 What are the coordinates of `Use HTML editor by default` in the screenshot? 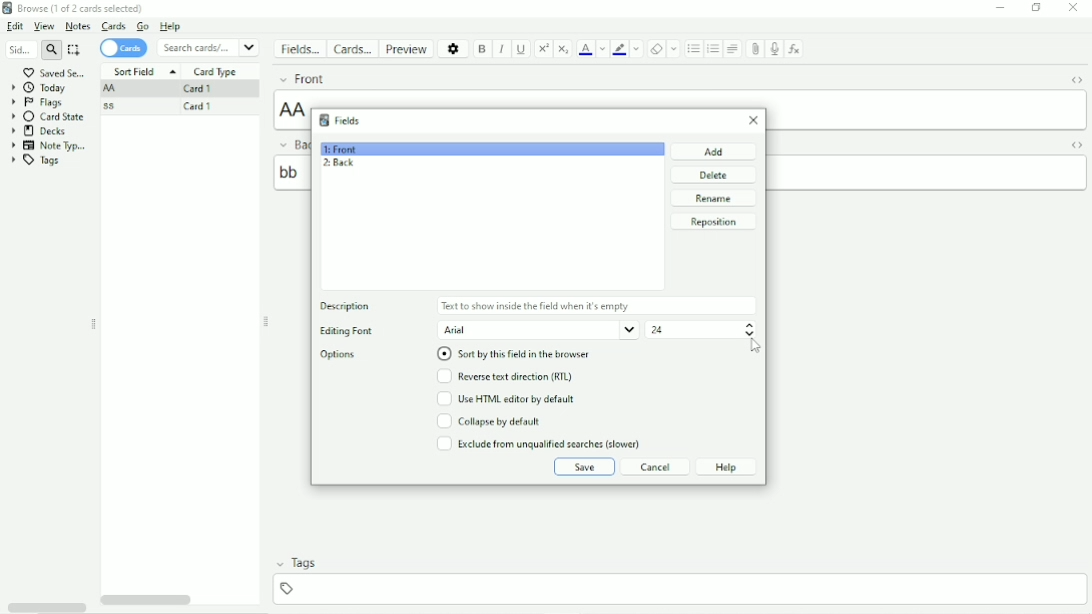 It's located at (513, 399).